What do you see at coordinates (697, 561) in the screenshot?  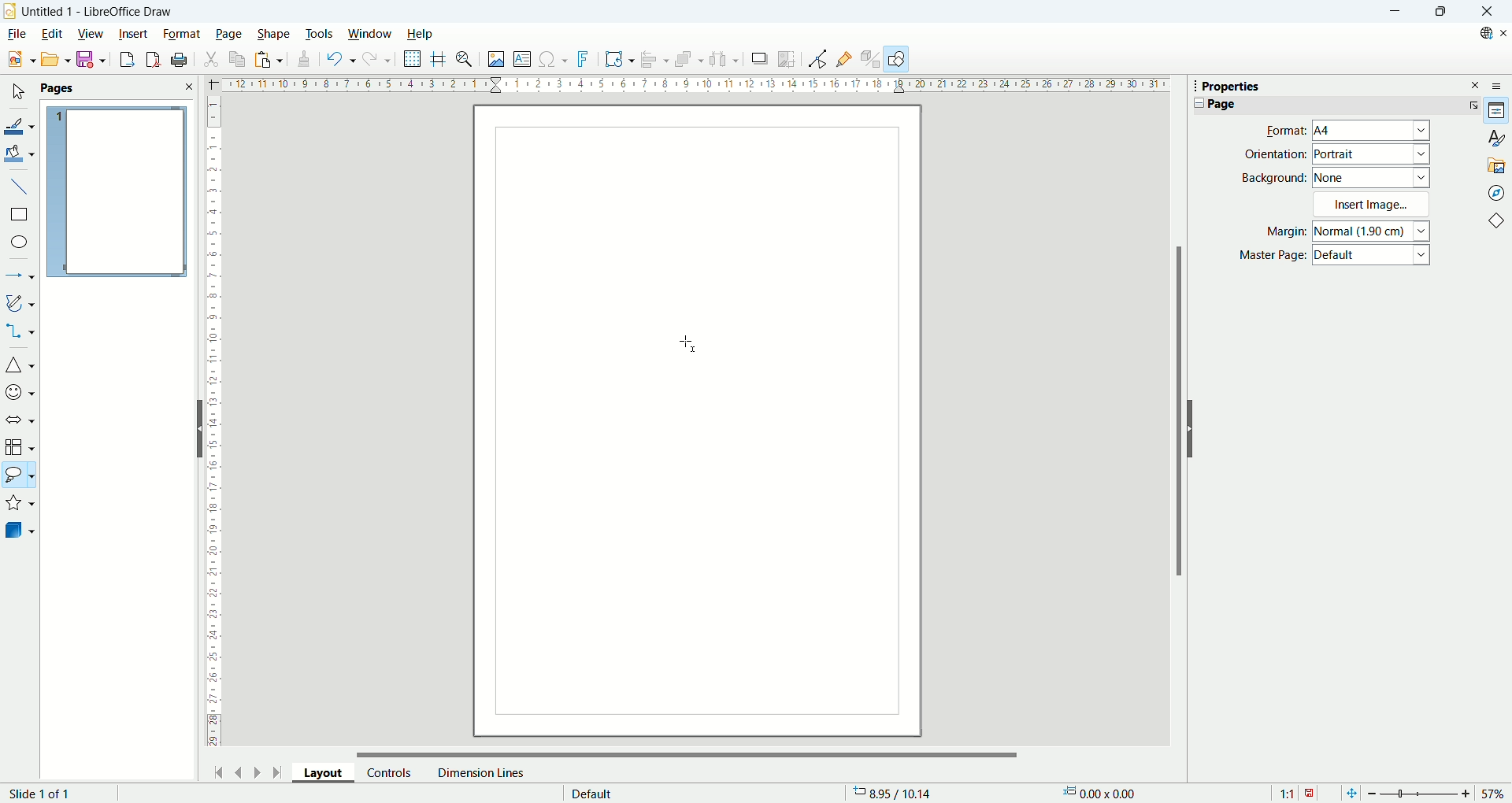 I see `Main Page` at bounding box center [697, 561].